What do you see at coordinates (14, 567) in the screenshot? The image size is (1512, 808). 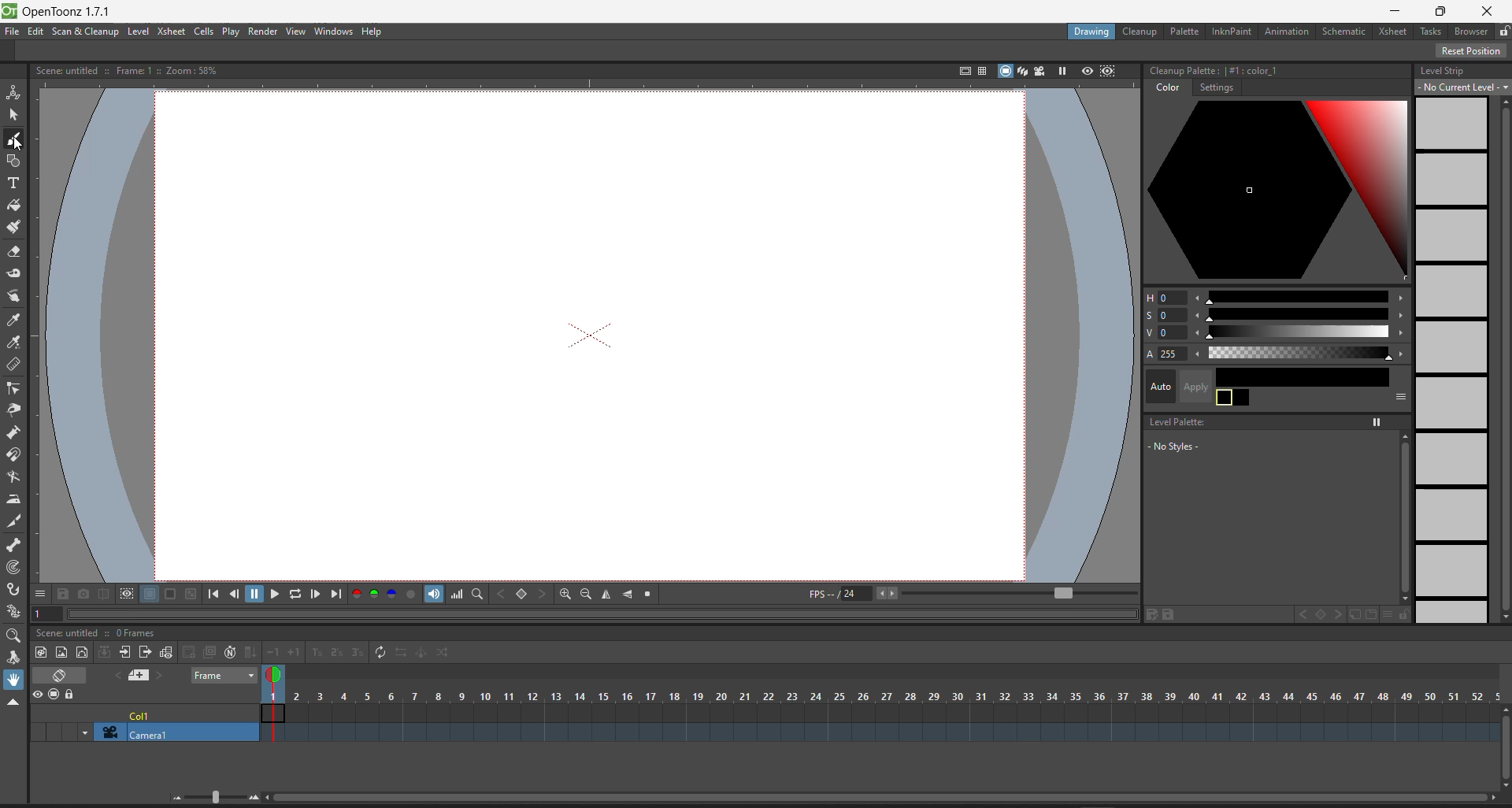 I see `tracker tool` at bounding box center [14, 567].